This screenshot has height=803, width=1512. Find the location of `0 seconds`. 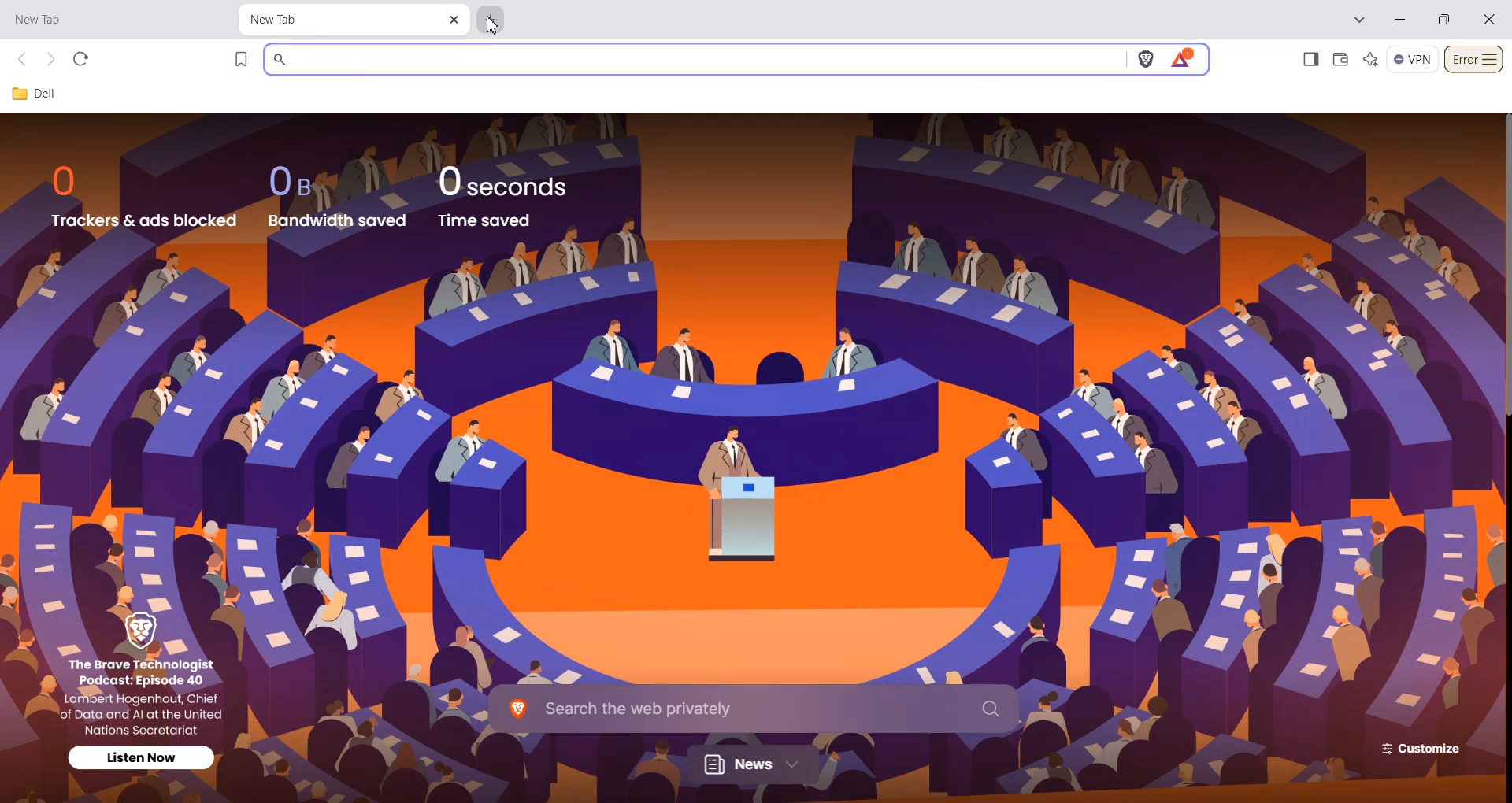

0 seconds is located at coordinates (513, 179).